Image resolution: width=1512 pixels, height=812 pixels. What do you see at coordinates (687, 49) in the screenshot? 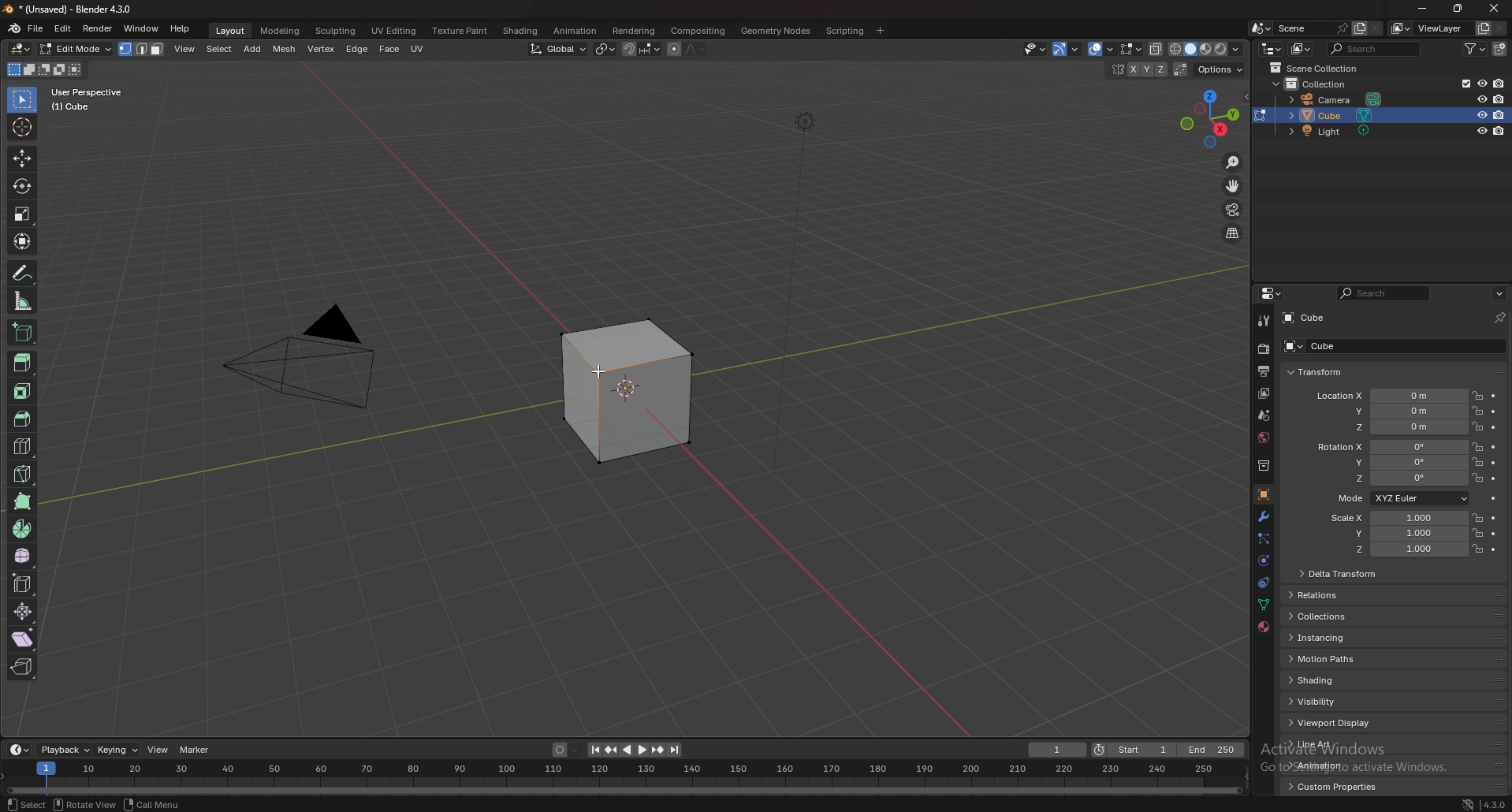
I see `proportional editing objcets` at bounding box center [687, 49].